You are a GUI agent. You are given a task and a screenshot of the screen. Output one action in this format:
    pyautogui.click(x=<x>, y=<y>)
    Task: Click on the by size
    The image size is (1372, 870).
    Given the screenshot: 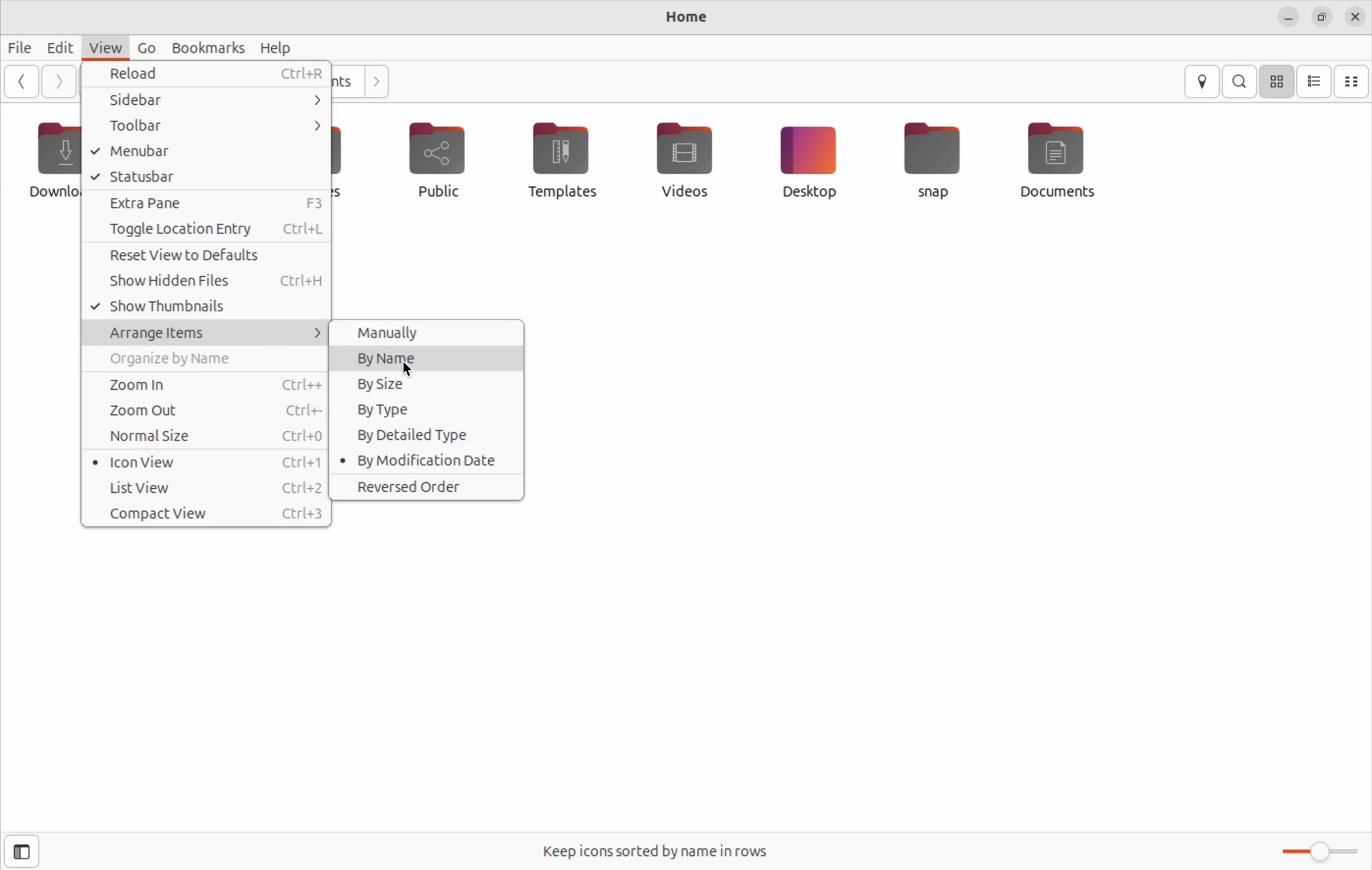 What is the action you would take?
    pyautogui.click(x=429, y=383)
    